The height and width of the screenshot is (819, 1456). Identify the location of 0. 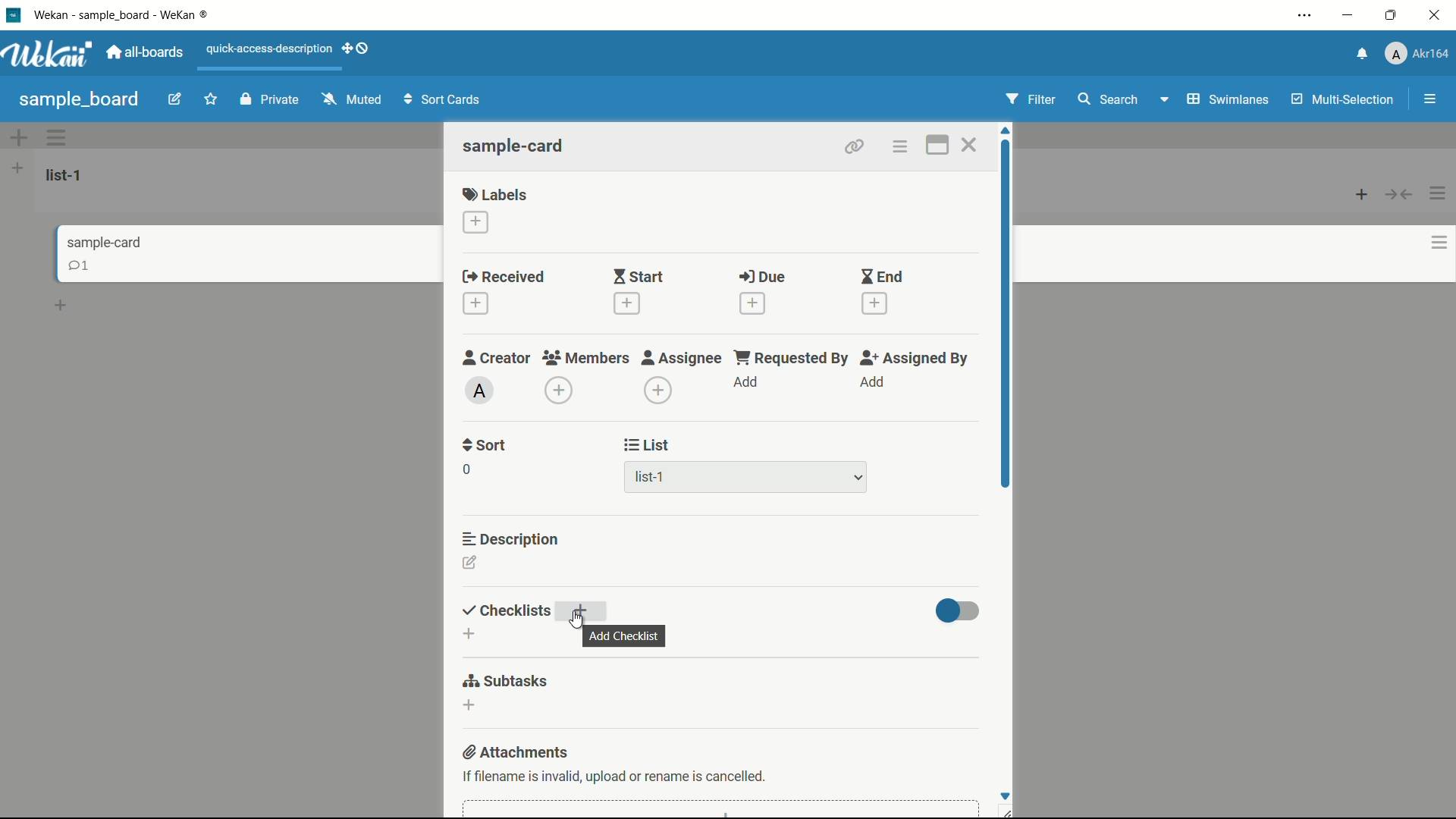
(466, 469).